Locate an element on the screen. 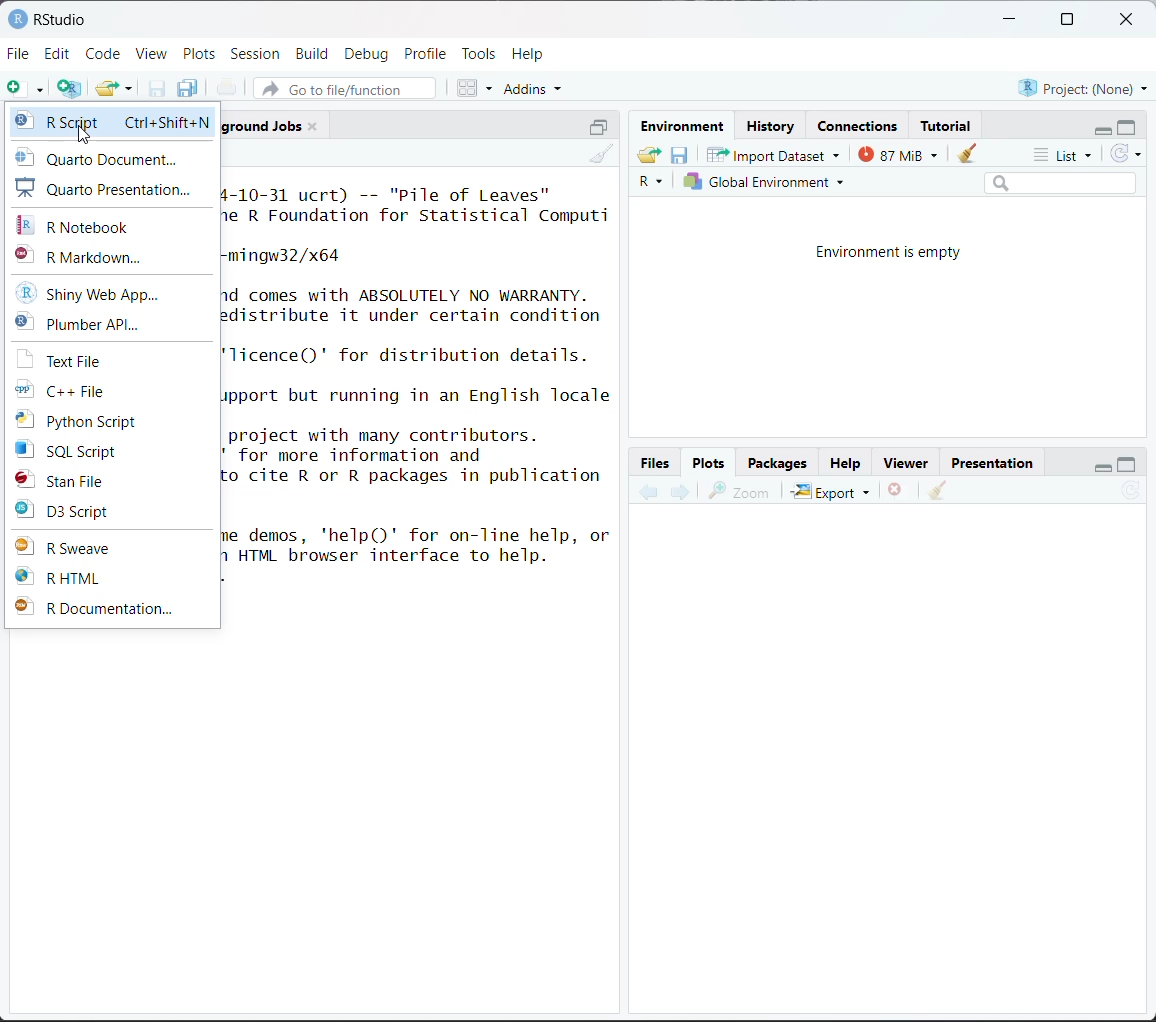 This screenshot has height=1022, width=1156. go to file/function is located at coordinates (343, 90).